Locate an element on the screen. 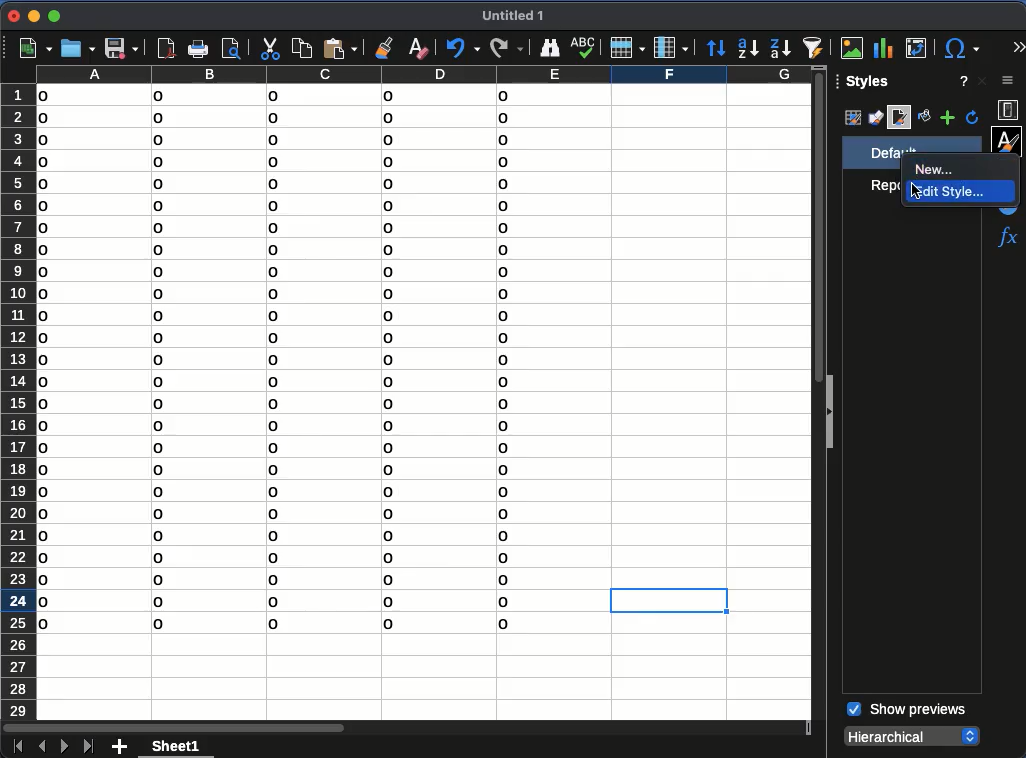 This screenshot has width=1026, height=758. add style is located at coordinates (948, 119).